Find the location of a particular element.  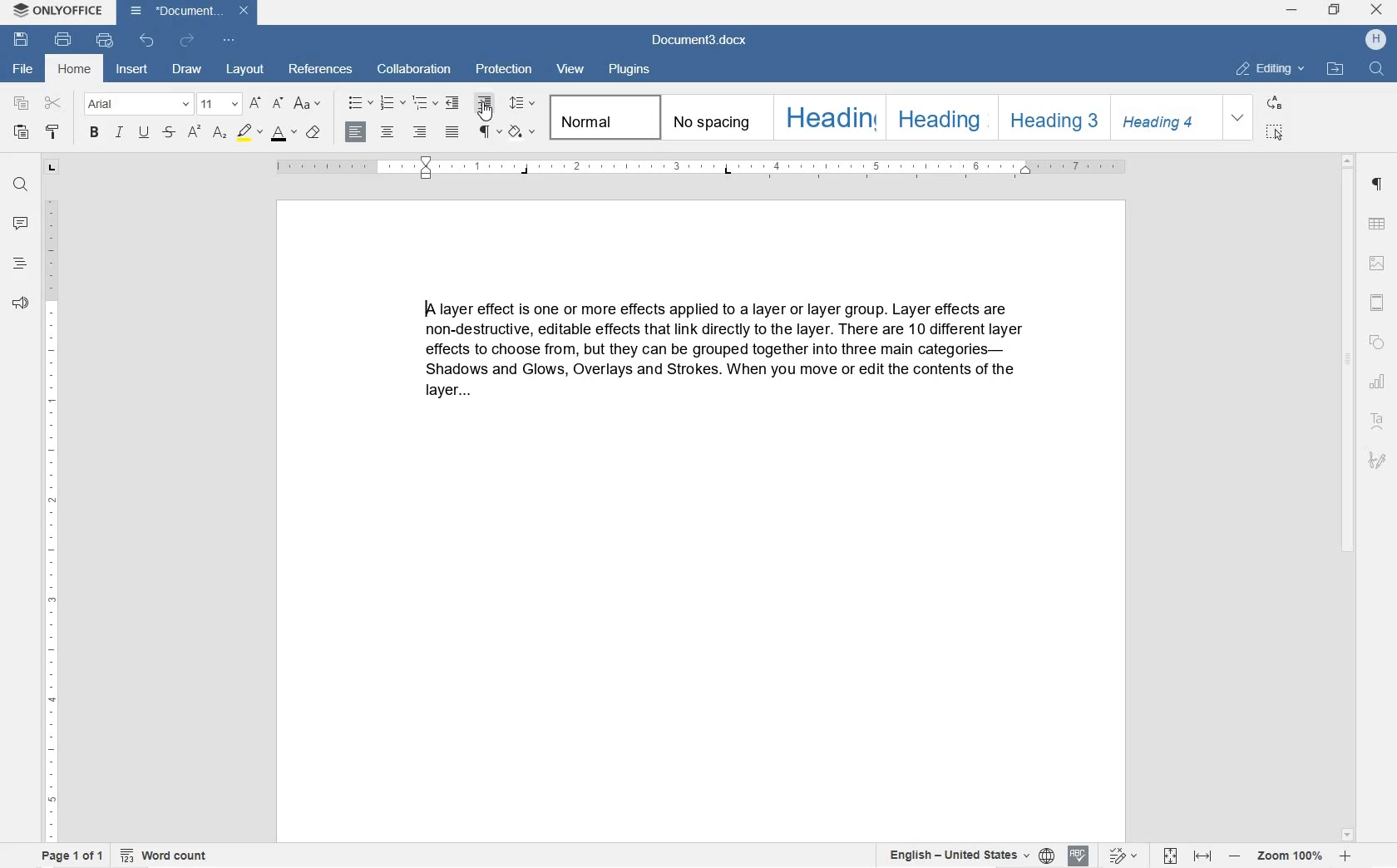

SCROLLBAR is located at coordinates (1345, 497).